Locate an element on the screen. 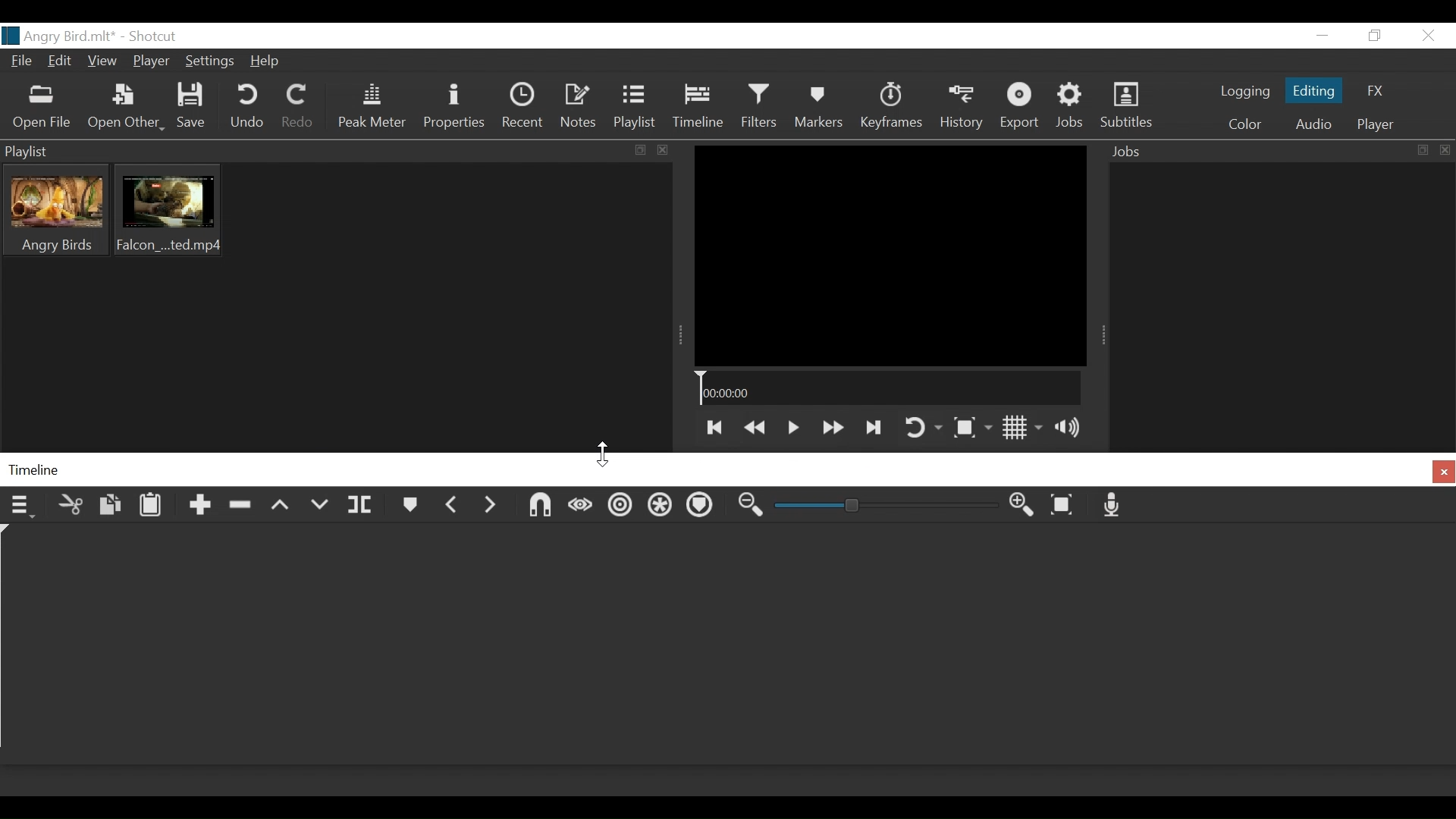  Notes is located at coordinates (577, 108).